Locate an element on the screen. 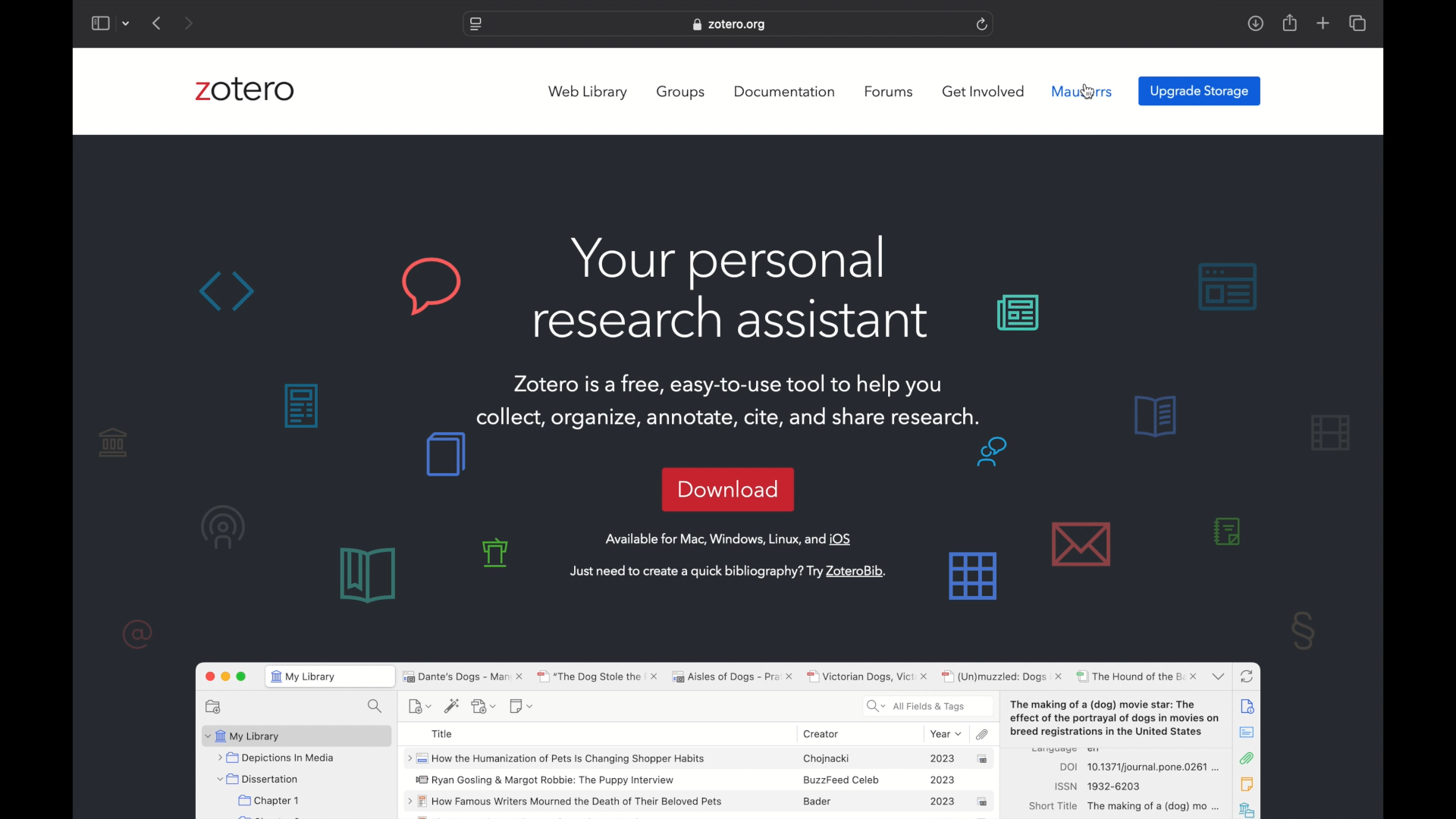 This screenshot has width=1456, height=819. download is located at coordinates (727, 488).